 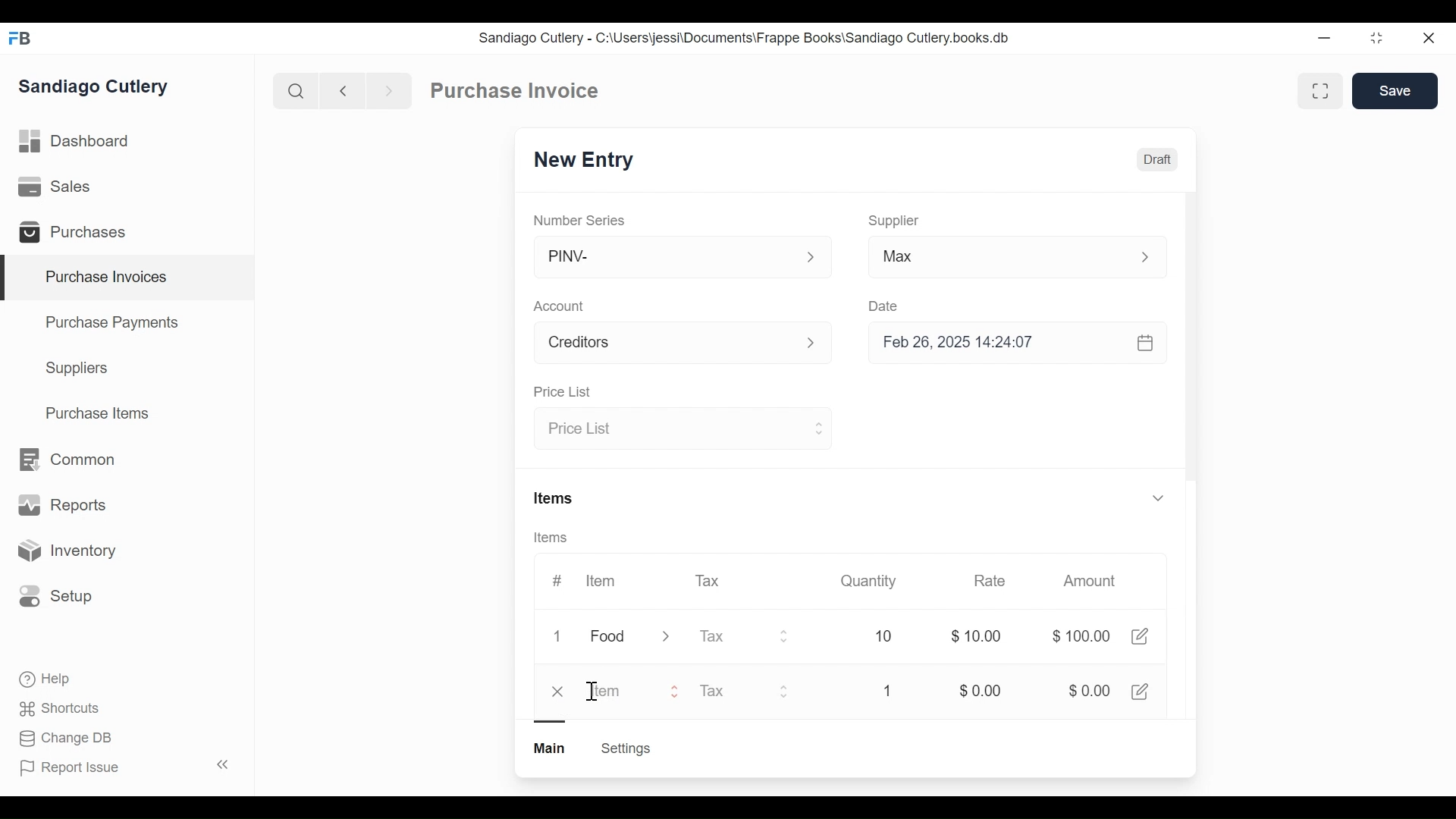 I want to click on Item, so click(x=599, y=581).